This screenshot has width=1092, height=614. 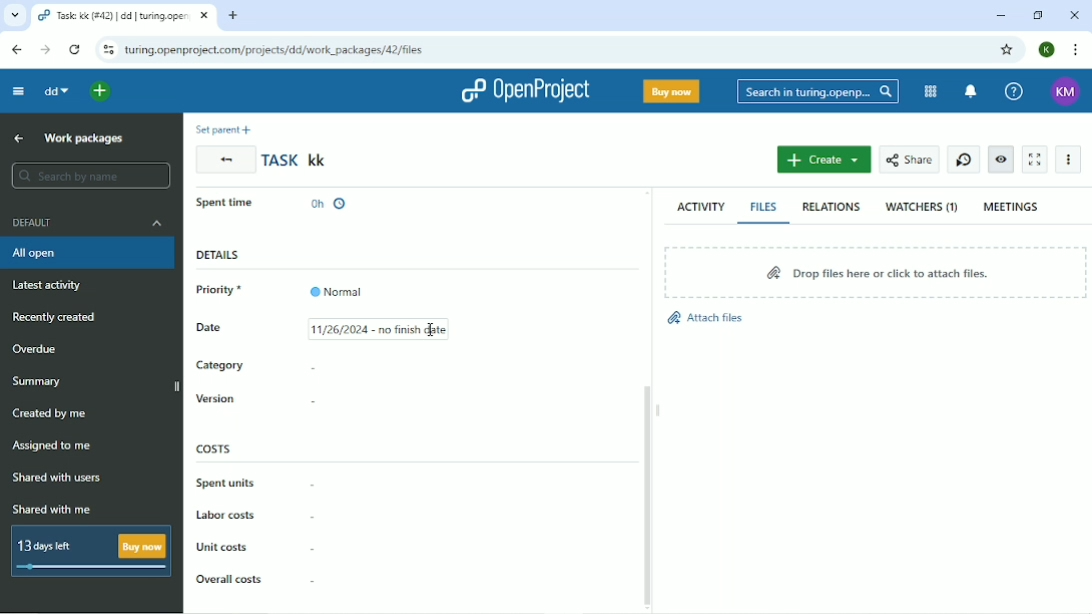 What do you see at coordinates (225, 516) in the screenshot?
I see `Labor costs` at bounding box center [225, 516].